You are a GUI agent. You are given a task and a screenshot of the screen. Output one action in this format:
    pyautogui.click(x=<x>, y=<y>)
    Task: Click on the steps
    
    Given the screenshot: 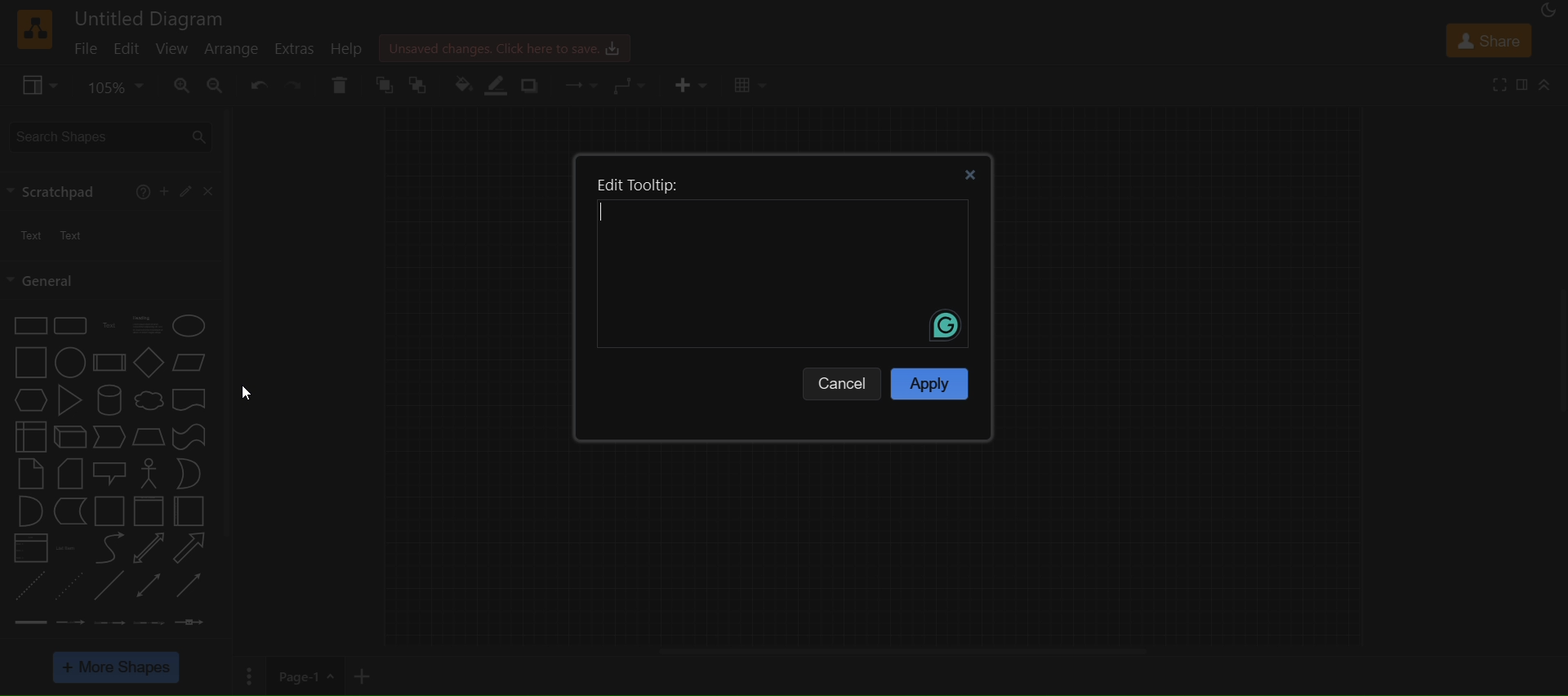 What is the action you would take?
    pyautogui.click(x=109, y=439)
    